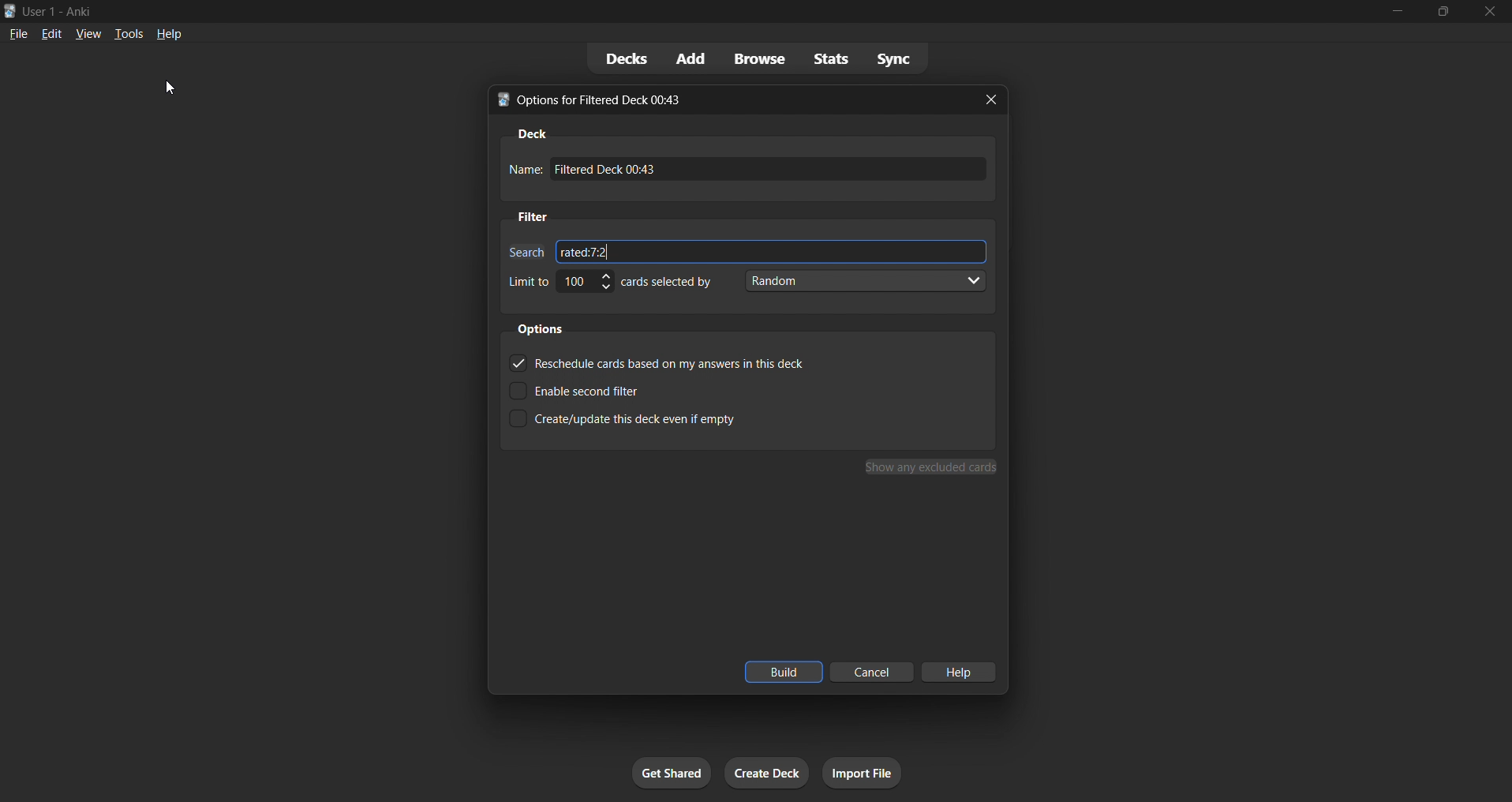 This screenshot has width=1512, height=802. What do you see at coordinates (961, 671) in the screenshot?
I see `hlep` at bounding box center [961, 671].